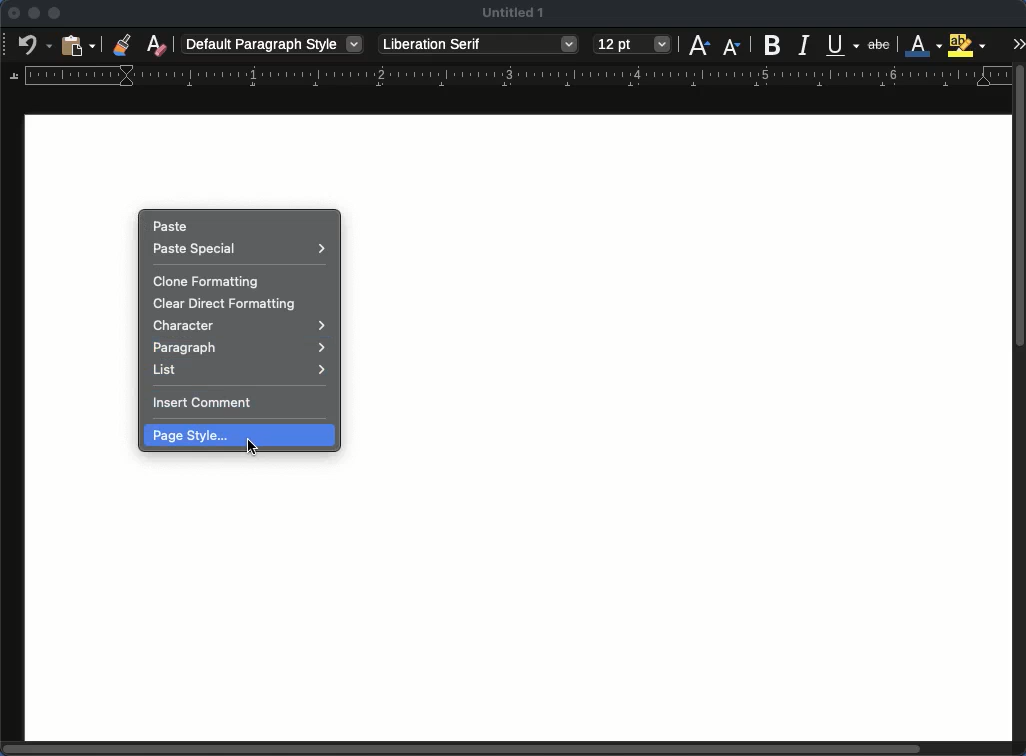  What do you see at coordinates (842, 42) in the screenshot?
I see `underline` at bounding box center [842, 42].